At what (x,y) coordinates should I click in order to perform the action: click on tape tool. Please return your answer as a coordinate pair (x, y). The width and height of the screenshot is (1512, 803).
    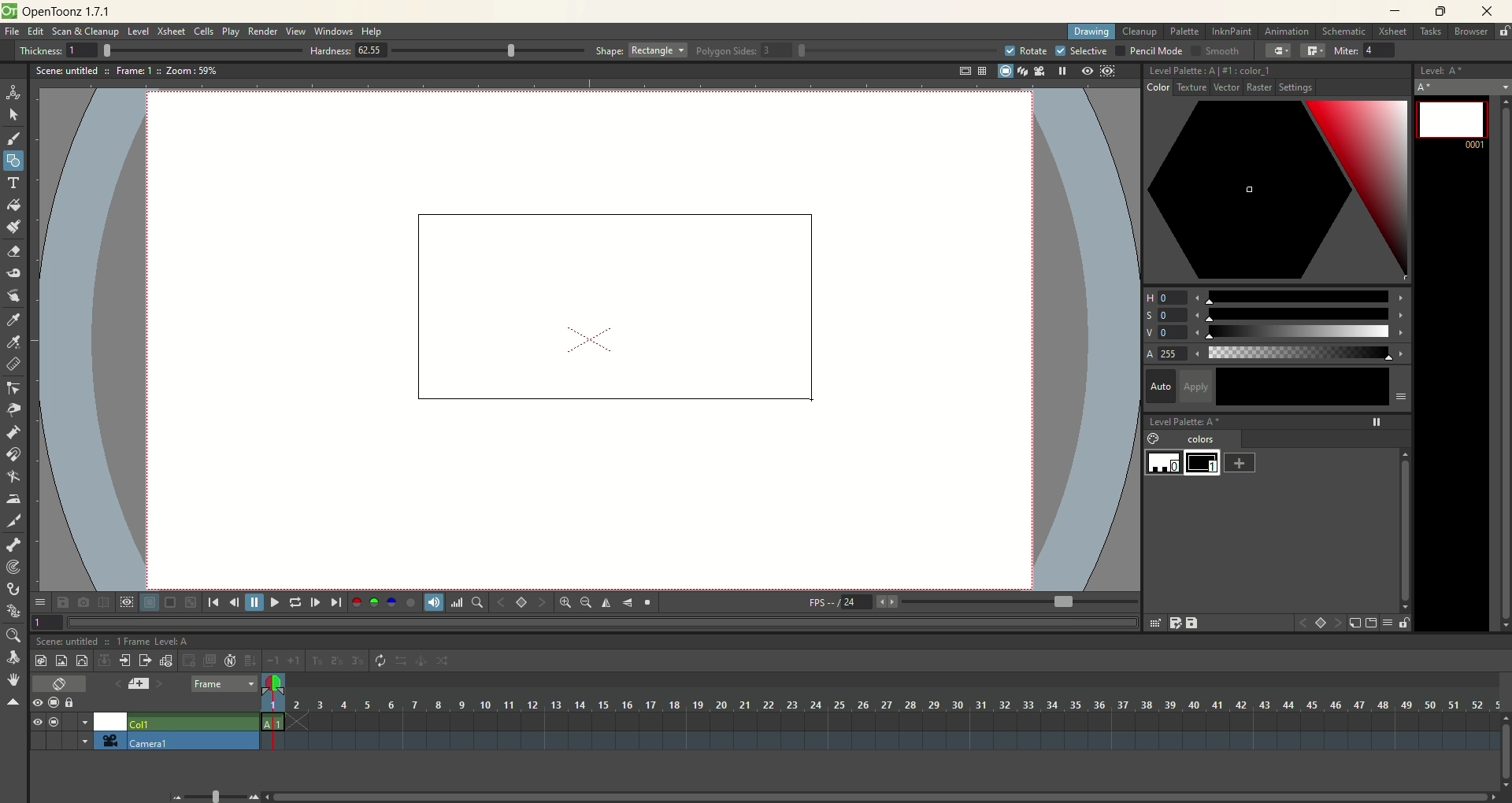
    Looking at the image, I should click on (13, 273).